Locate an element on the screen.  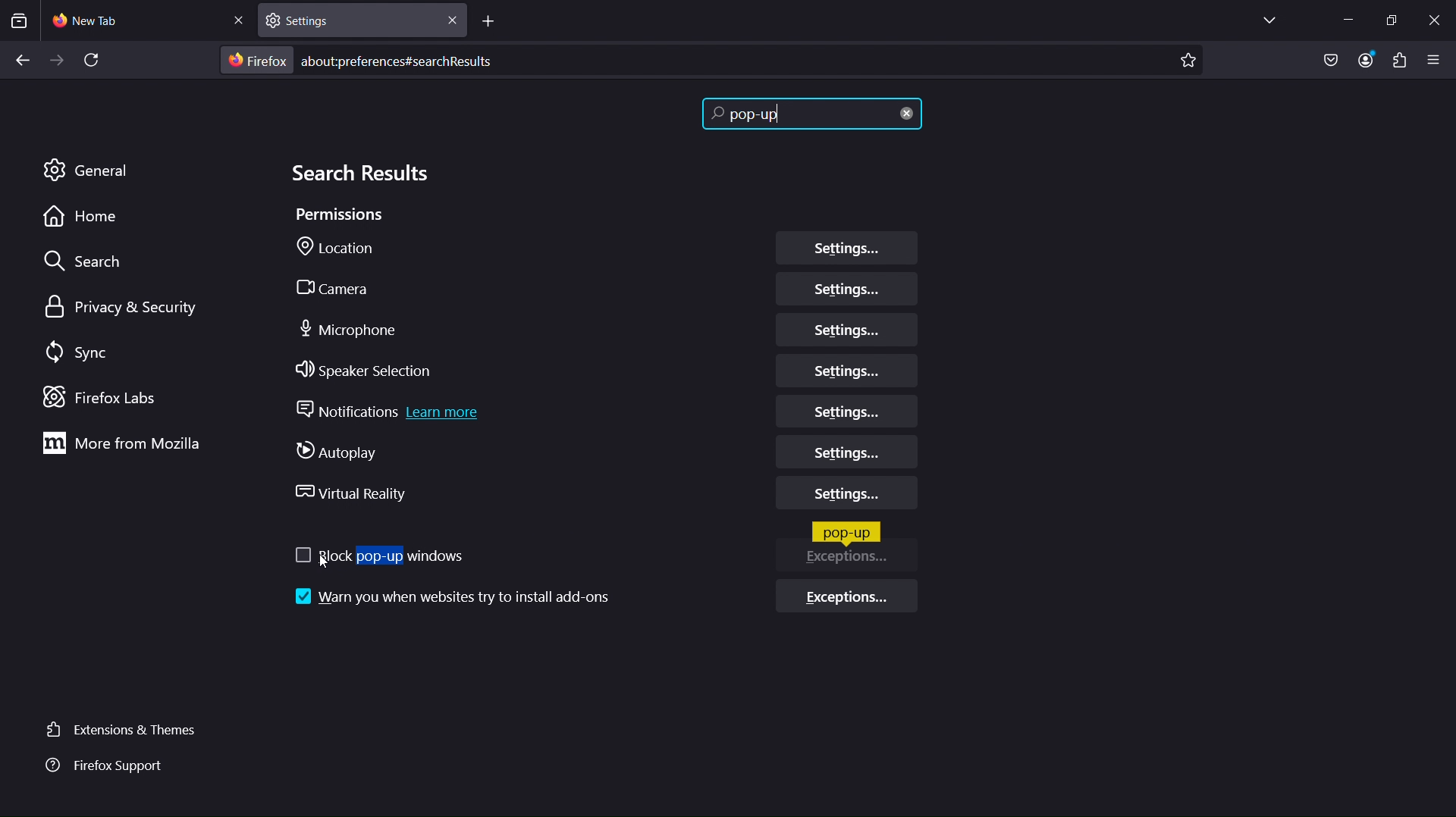
Notifications Learn More is located at coordinates (390, 413).